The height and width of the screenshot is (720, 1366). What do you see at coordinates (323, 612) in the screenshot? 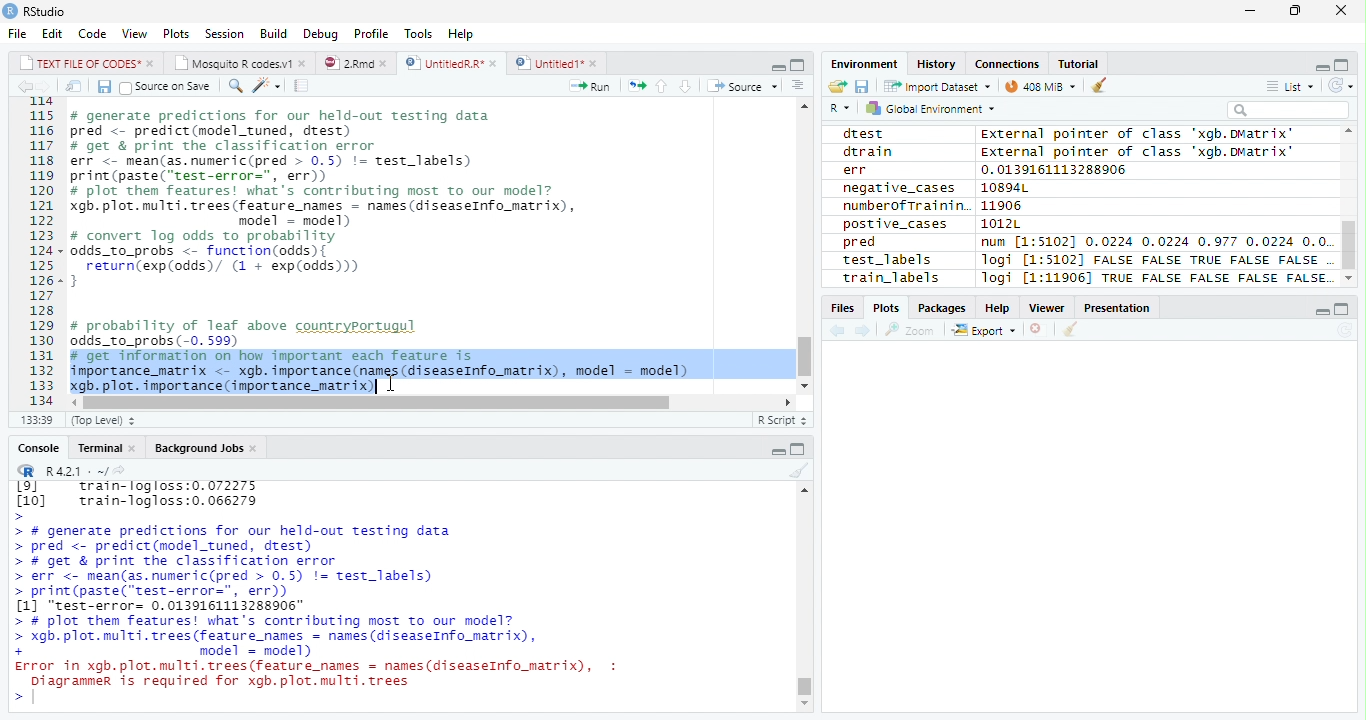
I see `> # generate predictions for our held-out testing data

> pred <- predict(model_tuned, drest)

> # get & print the classification error

> err <- mean(as.numeric(pred > 0.5) != test_labels)

> print(paste("test-error=", err))

[1] "test-error= 0.0139161113288906"

> # plot them features! what's contributing most To our model?

> xgb. plot. multi. trees (feature names = names (diseaseInfo_matrix),

+ model = model)

Error in xgb.plot.multi.trees(feature names = names(diseaseInfo_matrix), :
Diagrammer is required for xgb.plot.multi.trees

>` at bounding box center [323, 612].